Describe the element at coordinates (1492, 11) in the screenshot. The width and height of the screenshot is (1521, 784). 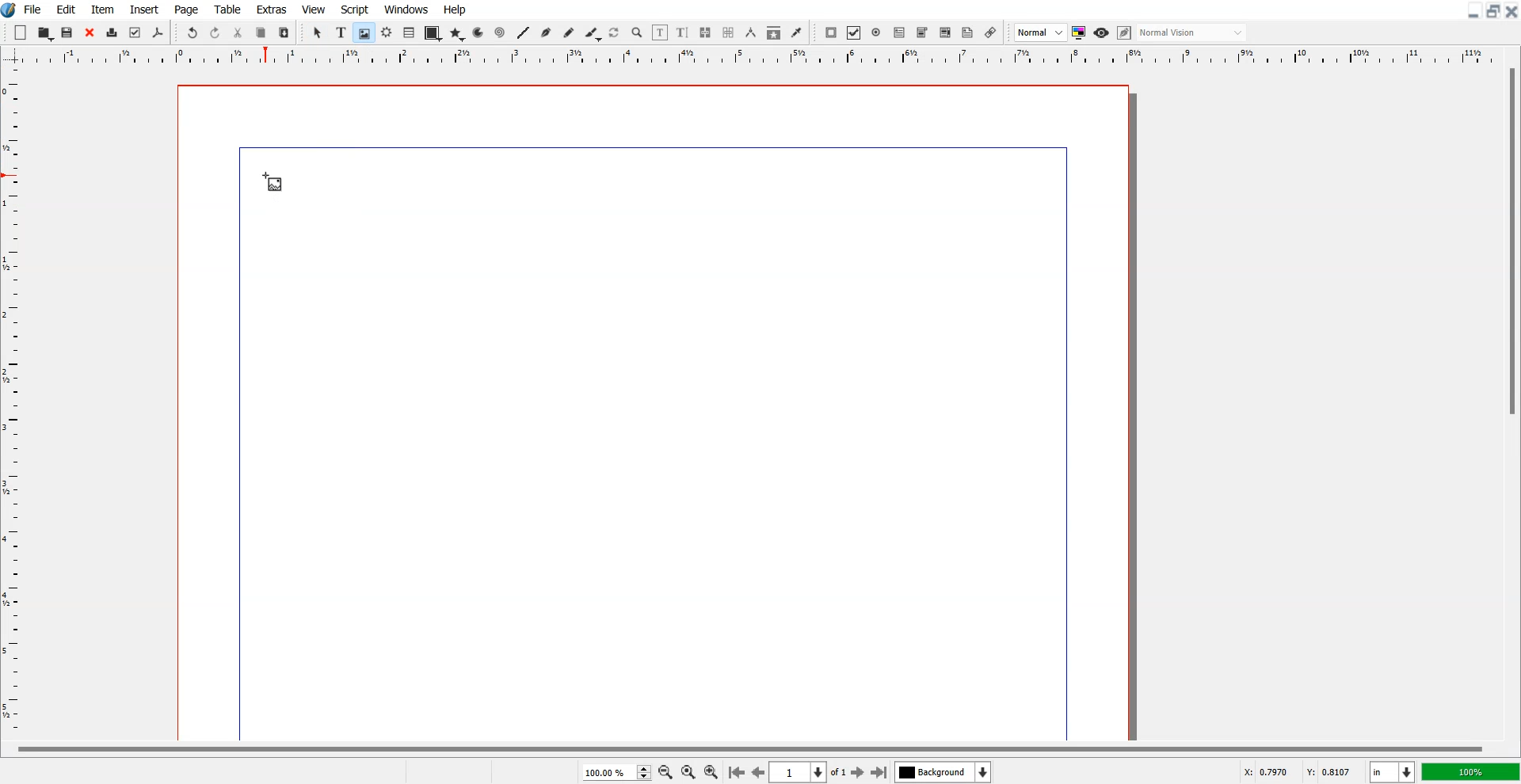
I see `Maximize` at that location.